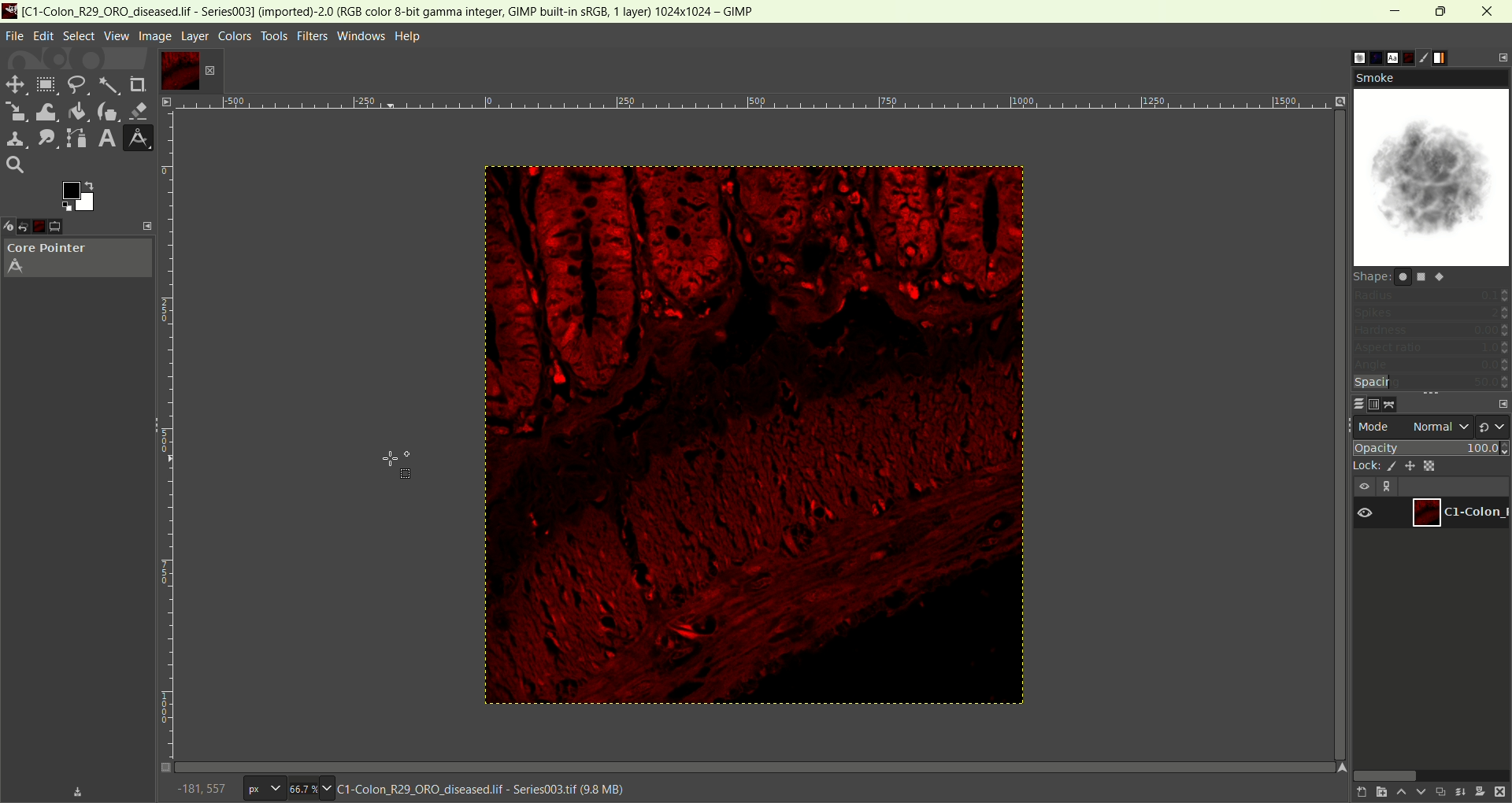  I want to click on delete layer, so click(1501, 793).